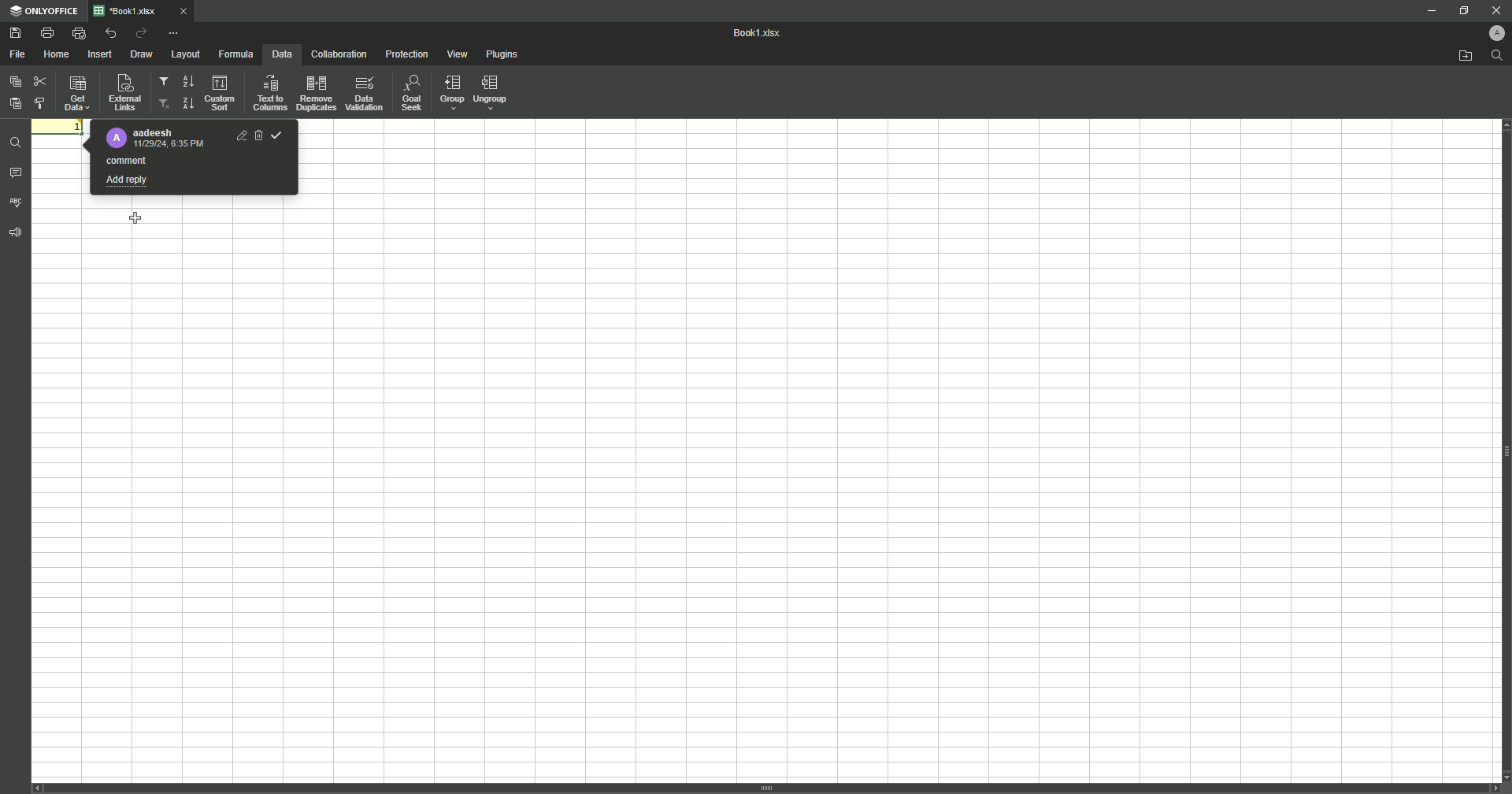 This screenshot has height=794, width=1512. Describe the element at coordinates (78, 32) in the screenshot. I see `Quick Print` at that location.